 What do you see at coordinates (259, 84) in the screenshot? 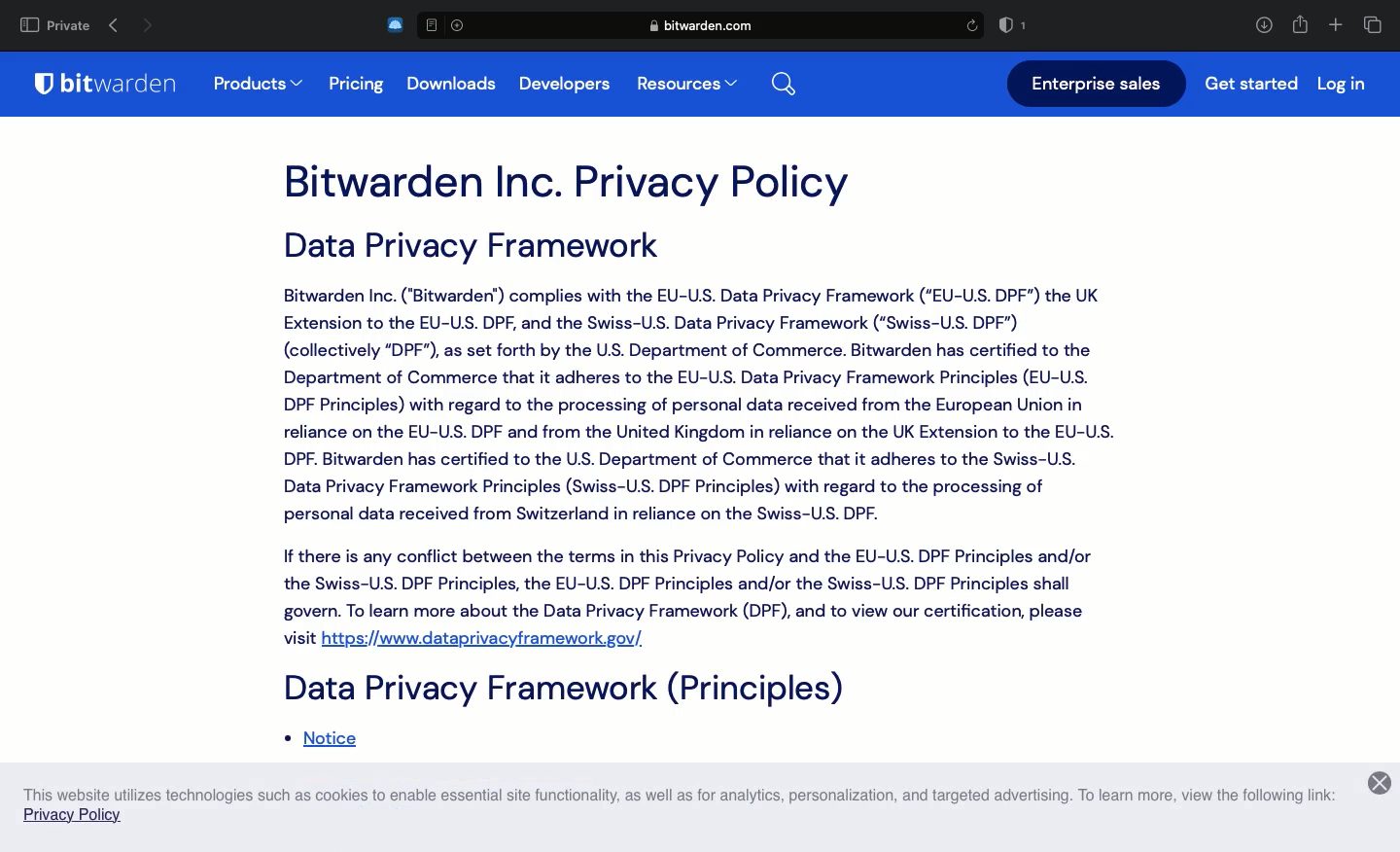
I see `products` at bounding box center [259, 84].